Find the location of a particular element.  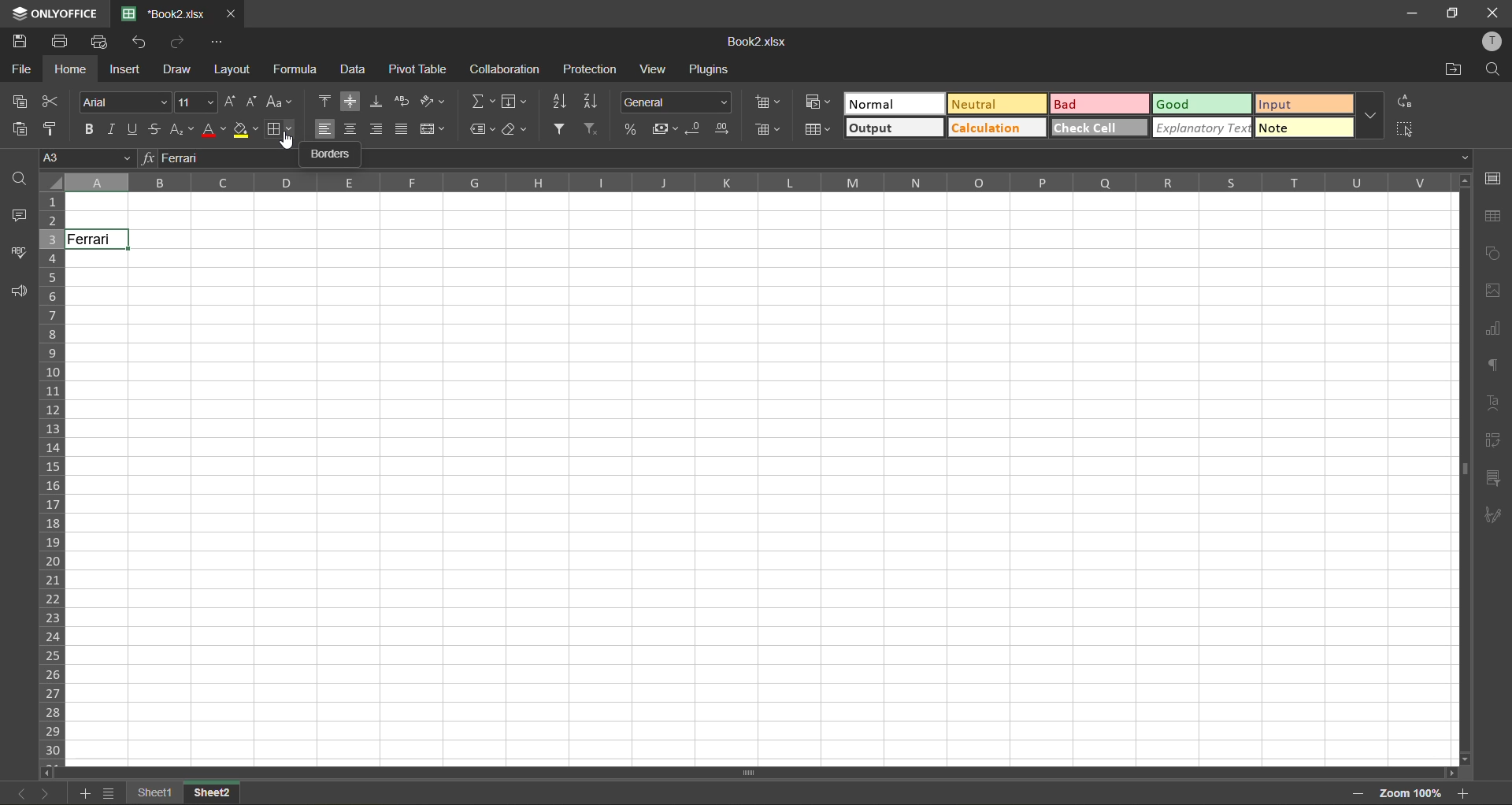

file name is located at coordinates (163, 13).